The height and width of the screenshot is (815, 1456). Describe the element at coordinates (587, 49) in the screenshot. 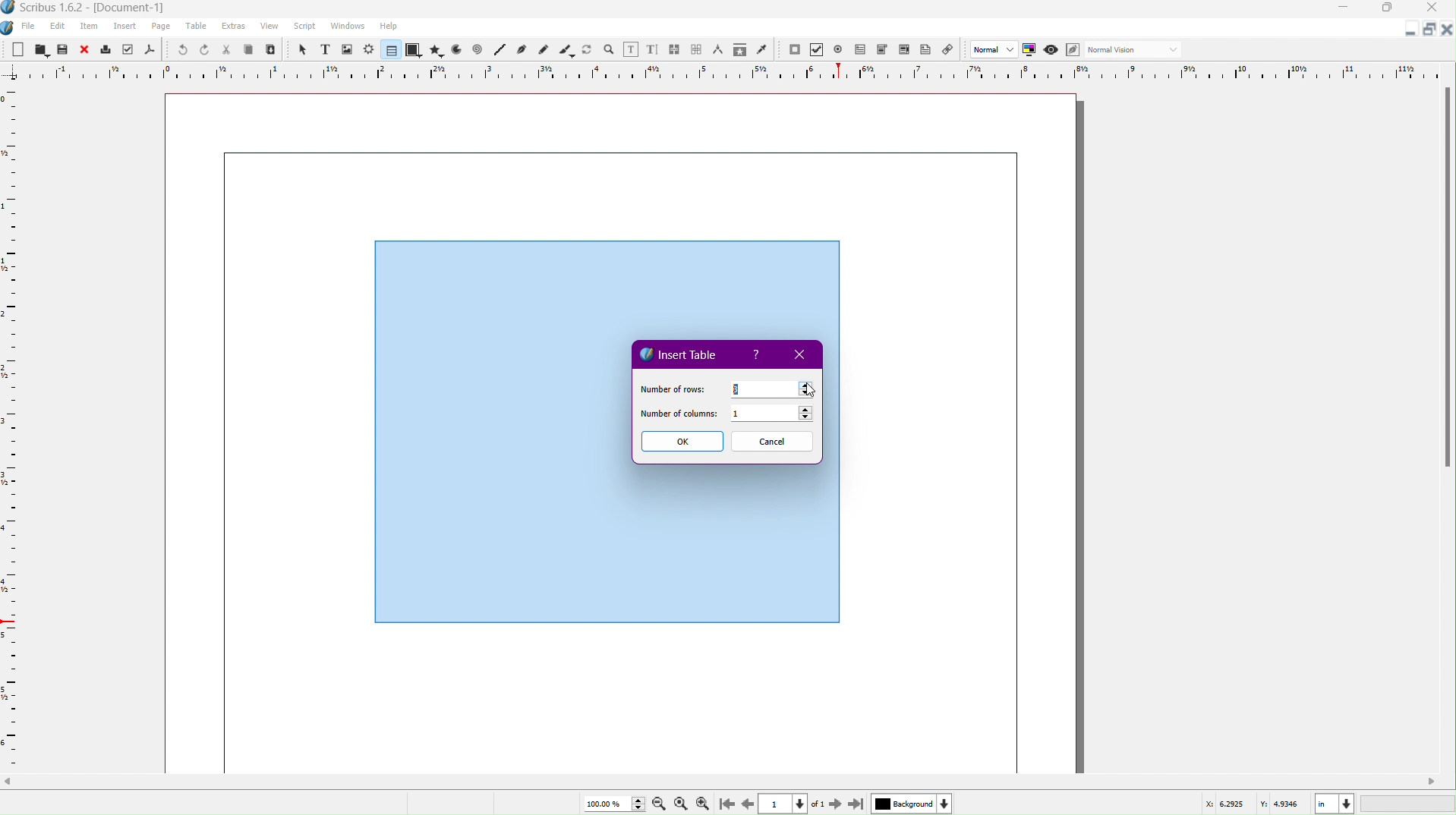

I see `Rotate Item` at that location.